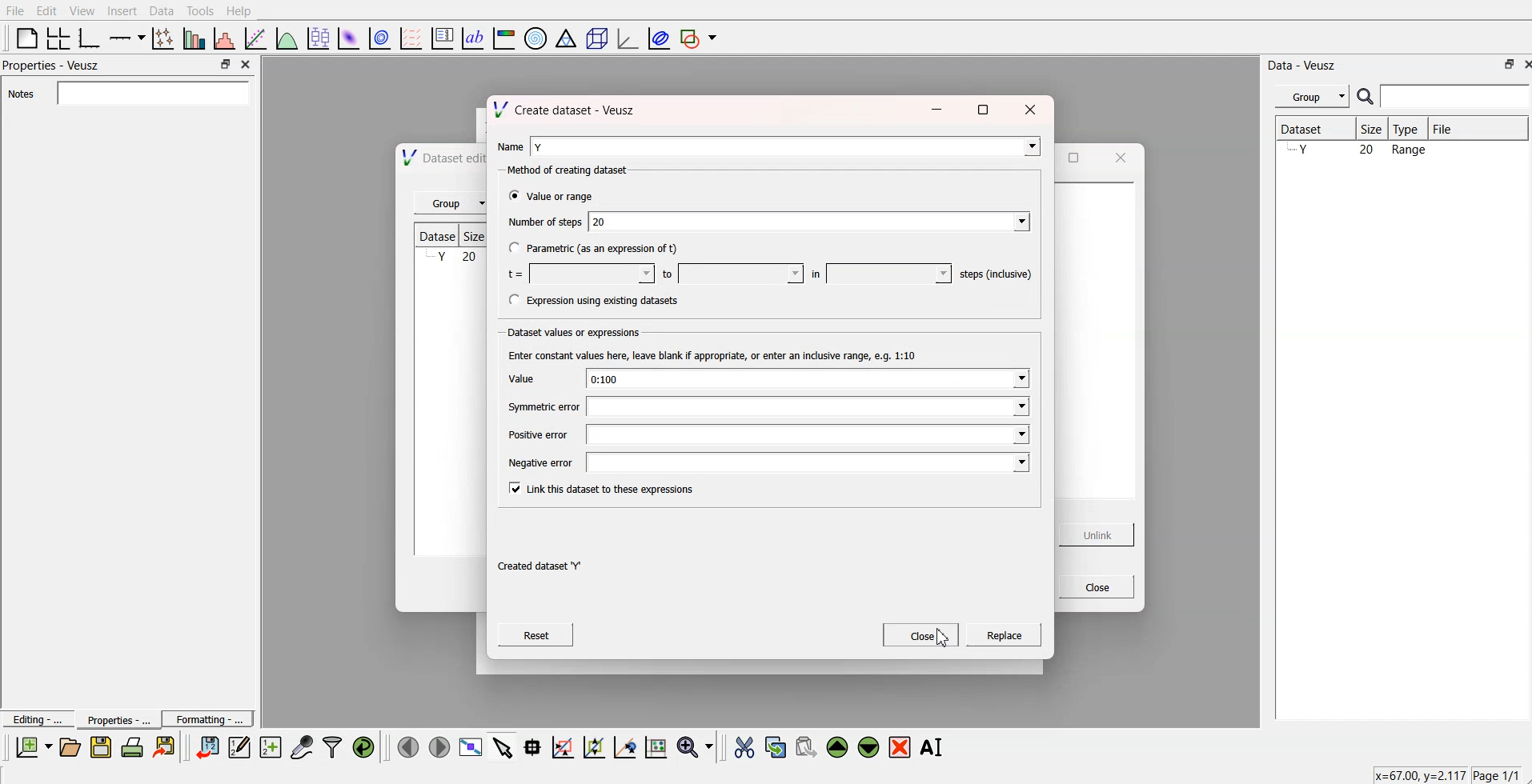 Image resolution: width=1532 pixels, height=784 pixels. What do you see at coordinates (208, 717) in the screenshot?
I see `Formatting` at bounding box center [208, 717].